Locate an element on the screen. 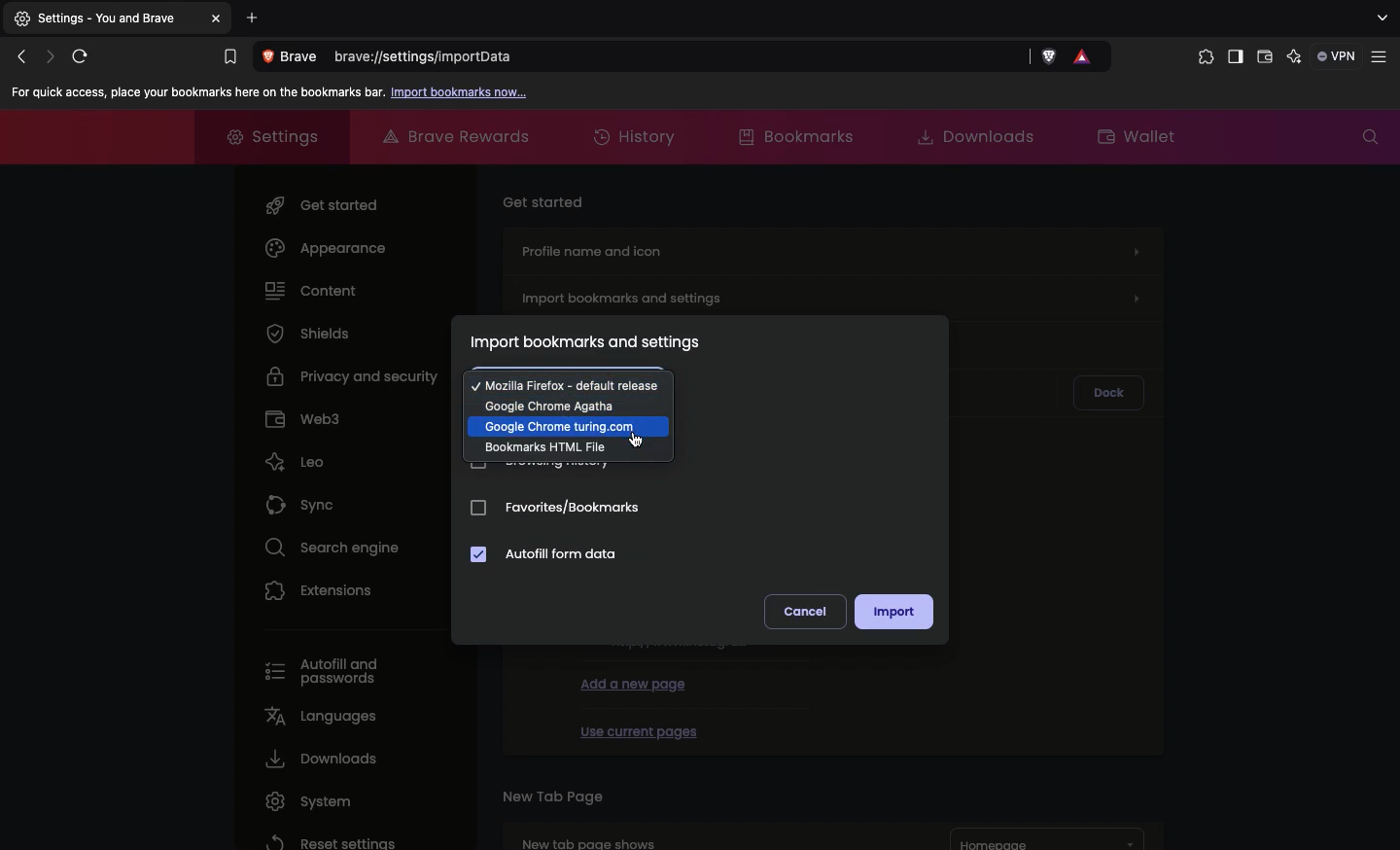  Downloads is located at coordinates (968, 135).